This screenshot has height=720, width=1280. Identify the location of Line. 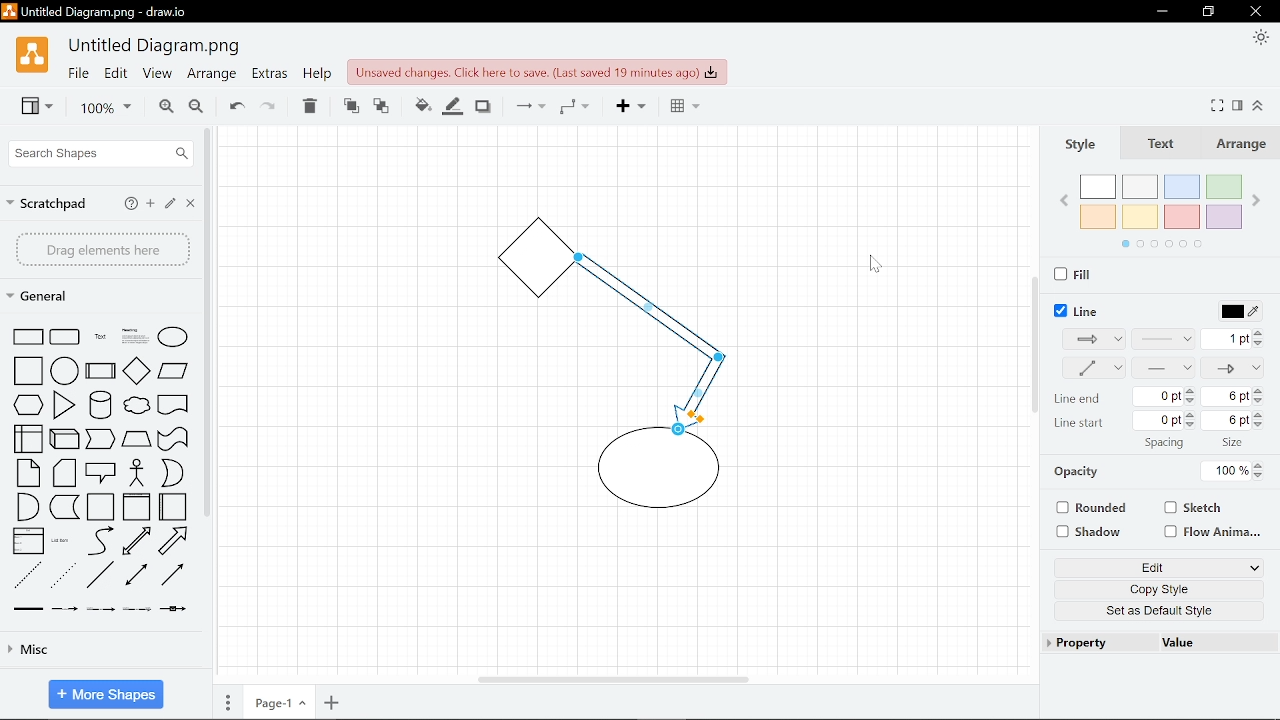
(1078, 308).